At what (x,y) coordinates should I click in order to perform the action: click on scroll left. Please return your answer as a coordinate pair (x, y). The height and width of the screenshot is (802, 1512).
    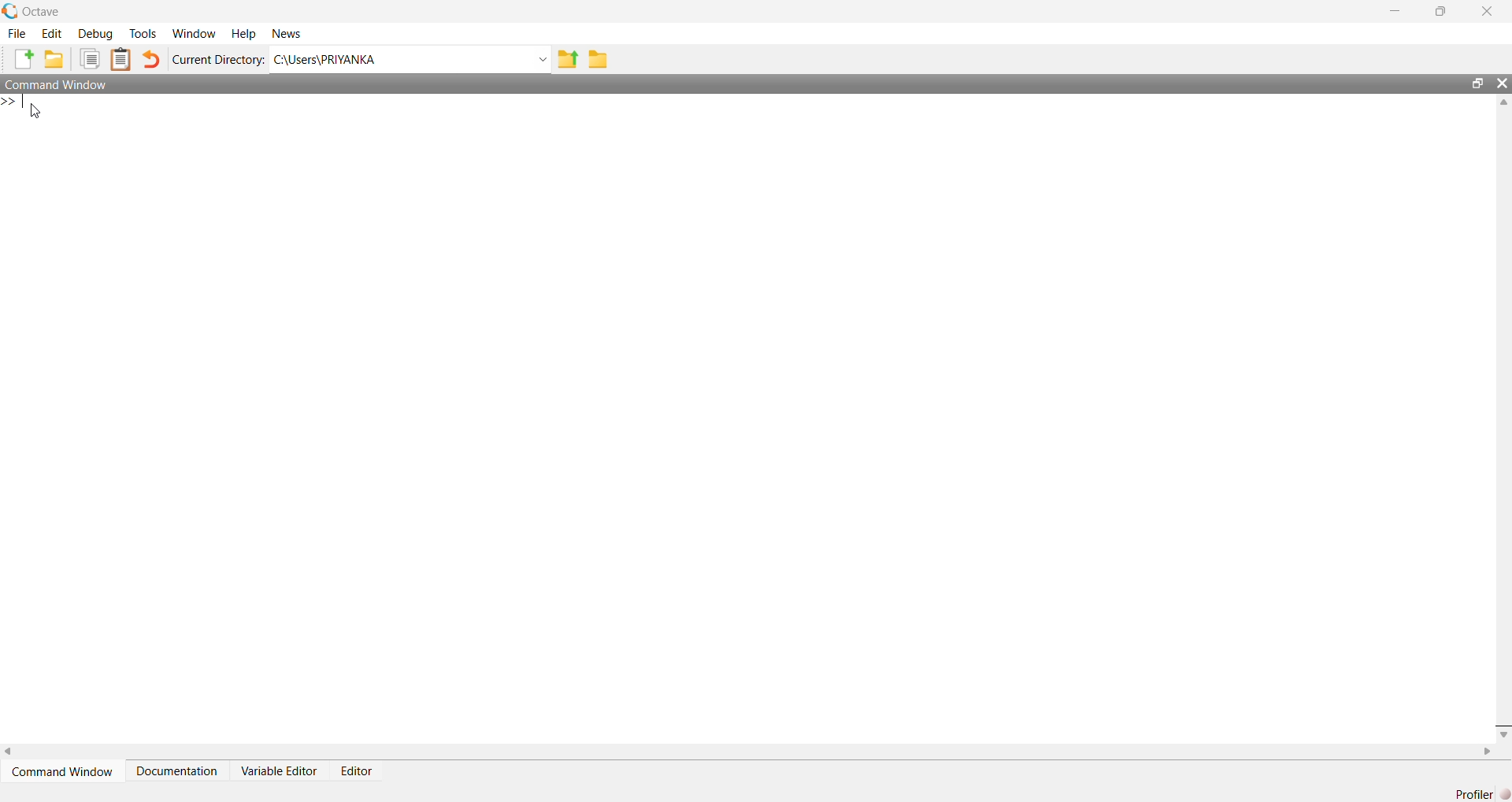
    Looking at the image, I should click on (9, 751).